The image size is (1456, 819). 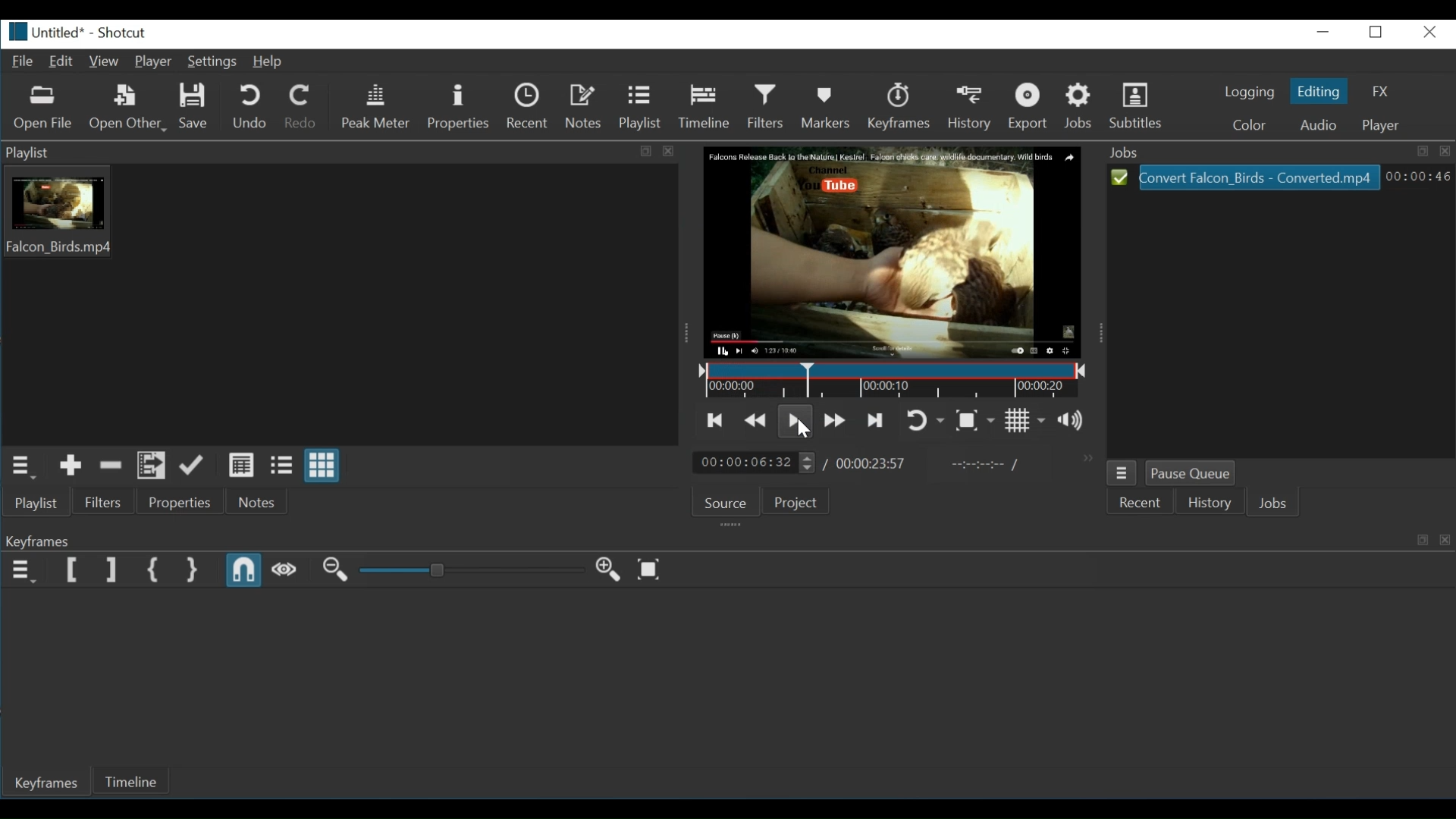 What do you see at coordinates (22, 60) in the screenshot?
I see `File` at bounding box center [22, 60].